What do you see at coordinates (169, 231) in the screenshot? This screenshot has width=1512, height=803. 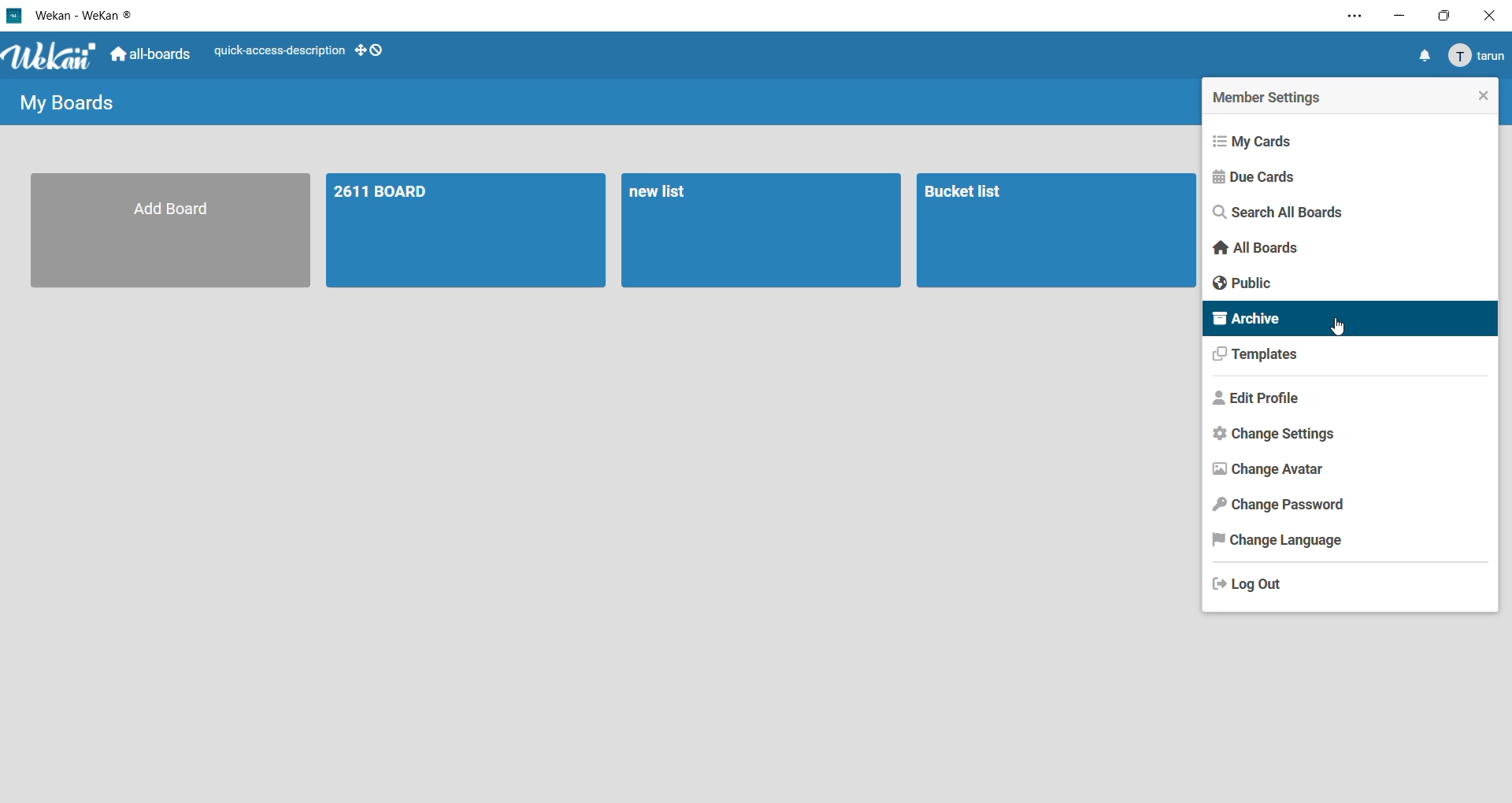 I see `add board` at bounding box center [169, 231].